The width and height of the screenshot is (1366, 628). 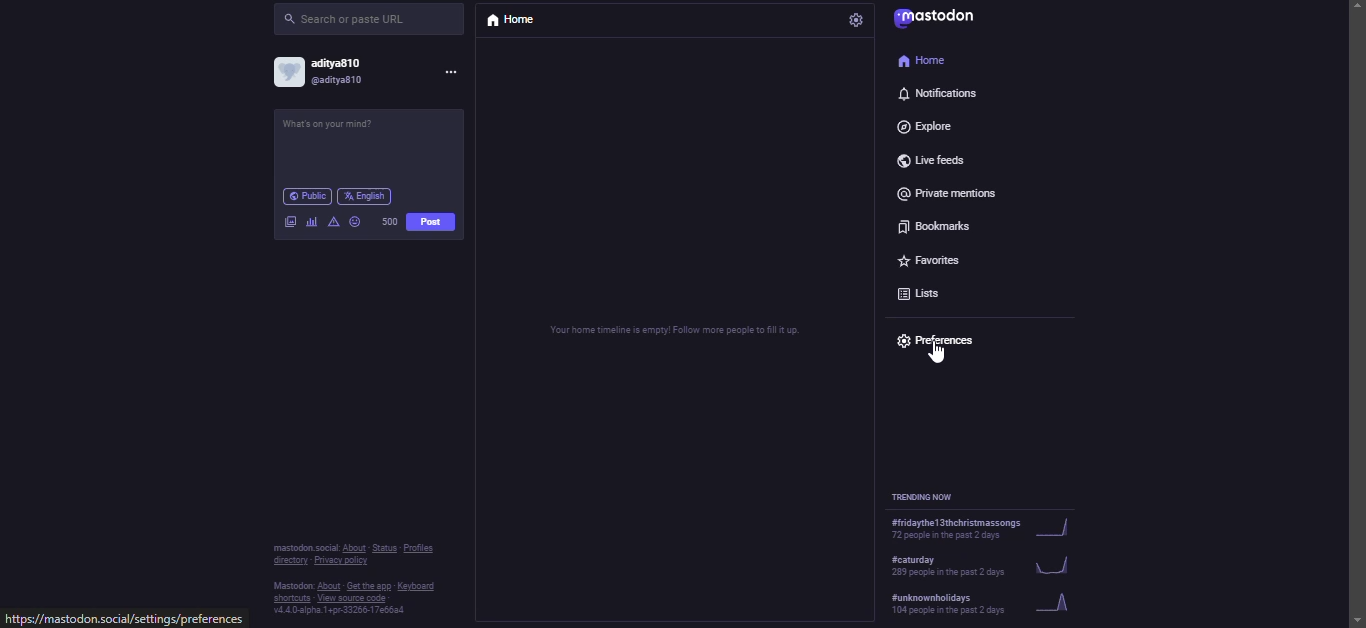 I want to click on About • Status • Profiles, so click(x=394, y=548).